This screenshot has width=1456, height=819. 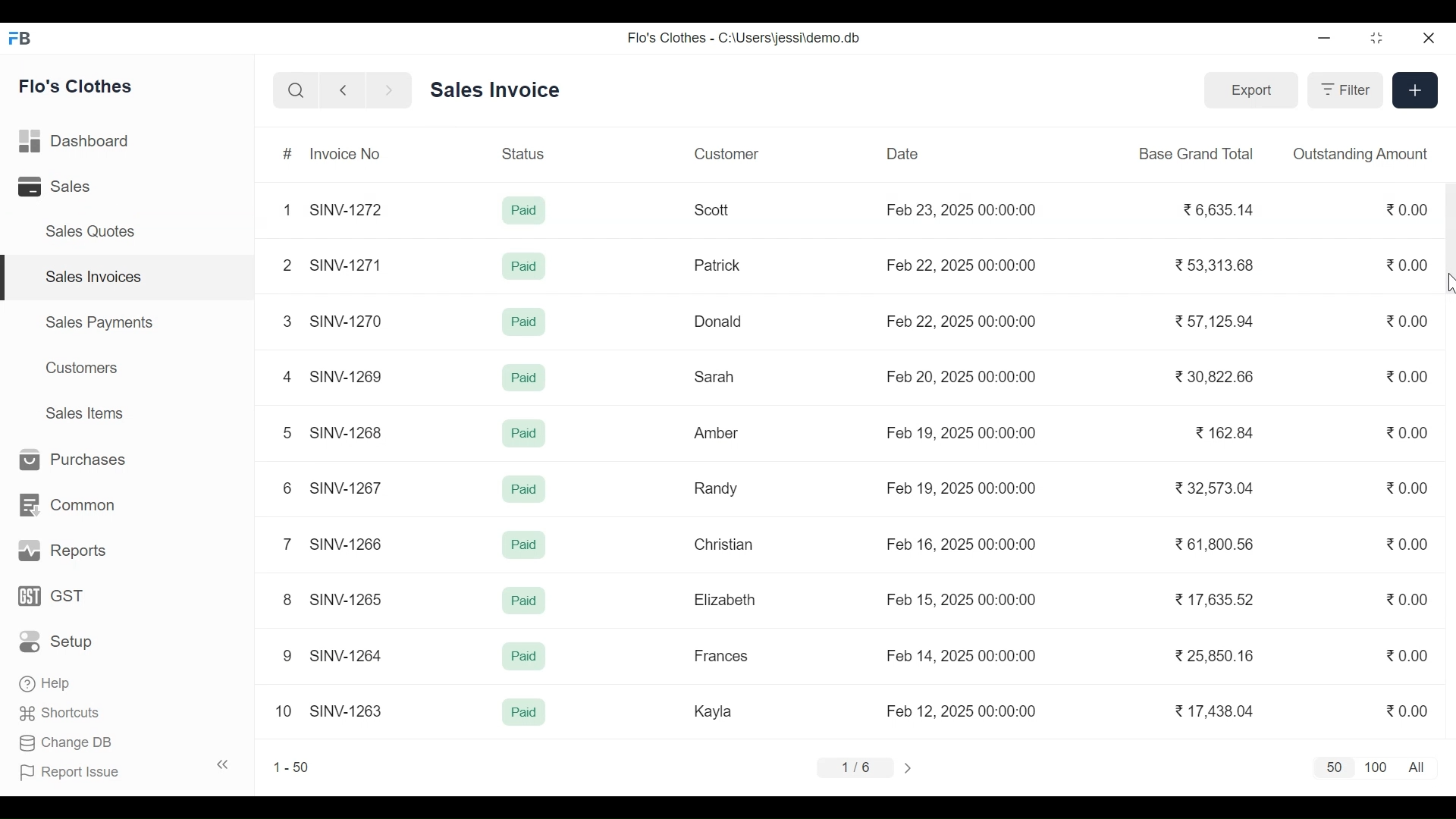 What do you see at coordinates (1414, 89) in the screenshot?
I see `Create` at bounding box center [1414, 89].